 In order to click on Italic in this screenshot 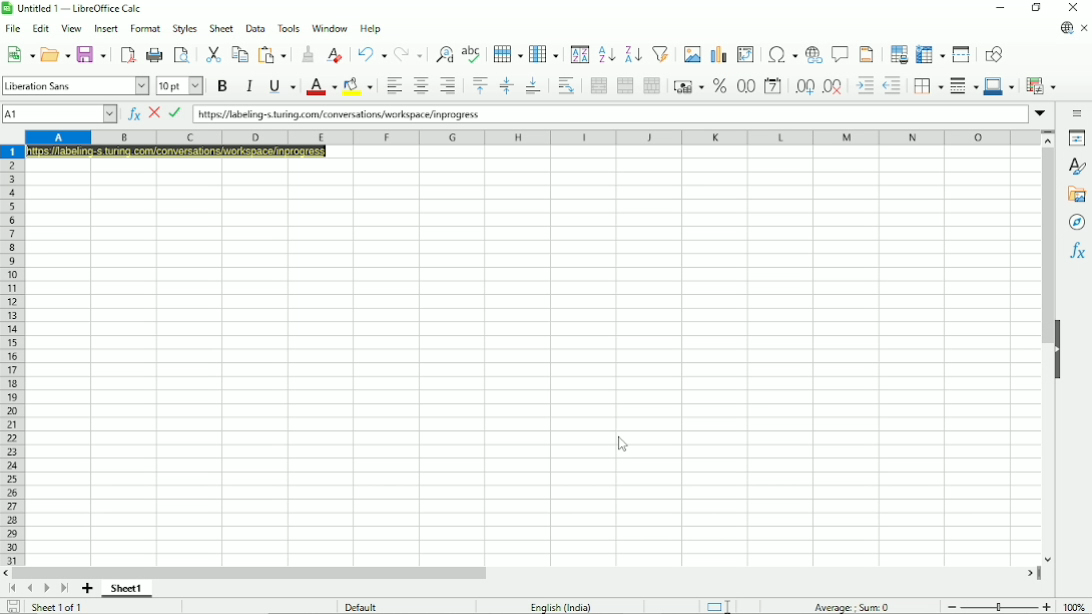, I will do `click(249, 85)`.